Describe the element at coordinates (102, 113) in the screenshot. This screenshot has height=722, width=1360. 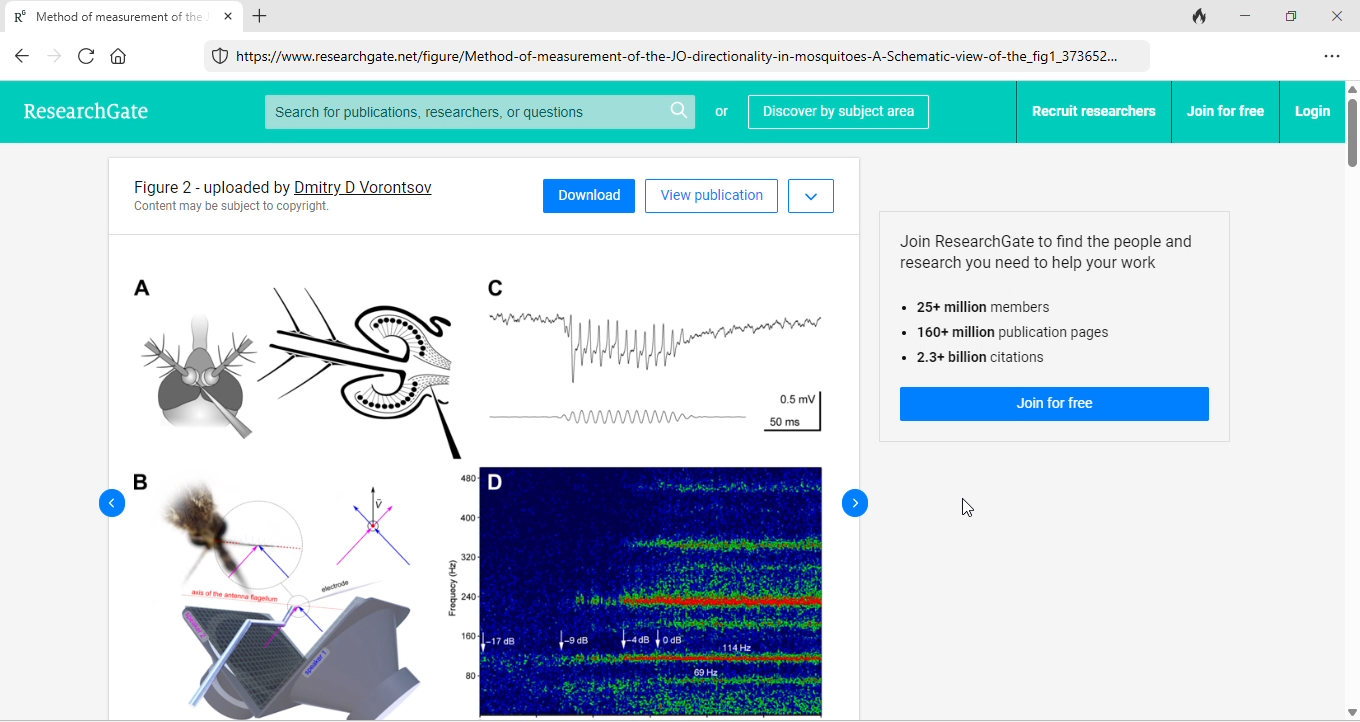
I see `research gate` at that location.